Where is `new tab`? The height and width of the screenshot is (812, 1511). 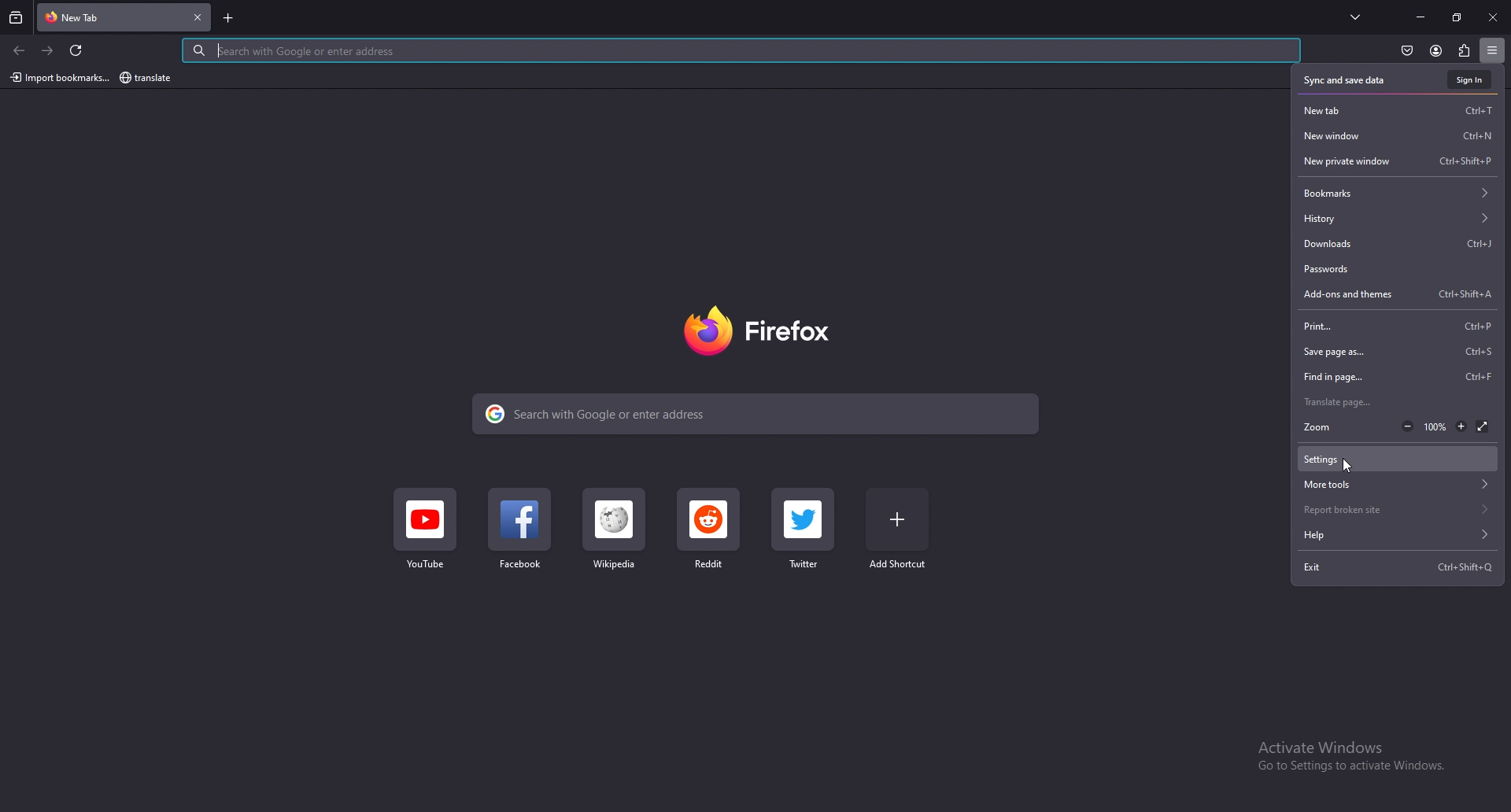
new tab is located at coordinates (1400, 109).